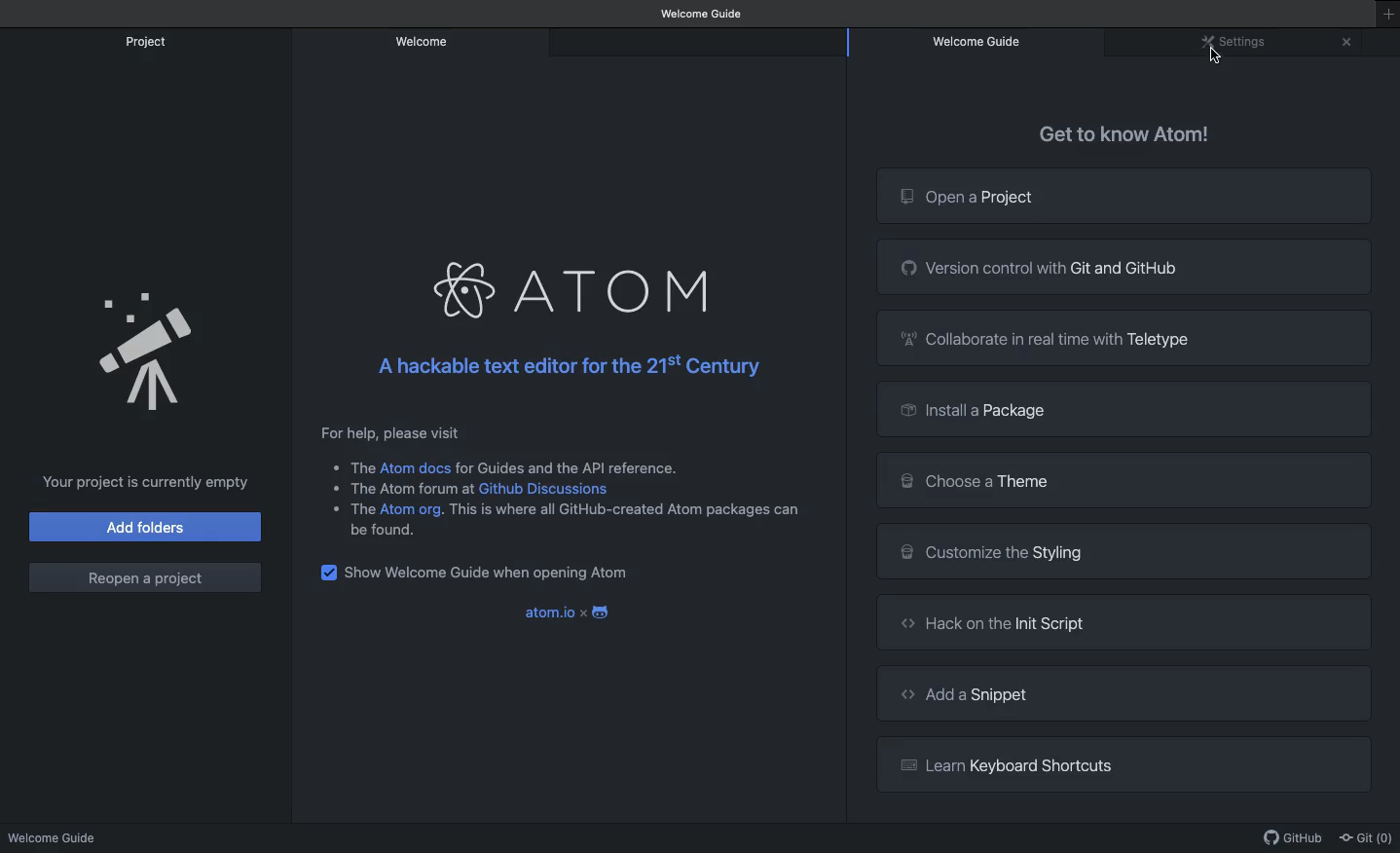  What do you see at coordinates (1218, 66) in the screenshot?
I see `cursor` at bounding box center [1218, 66].